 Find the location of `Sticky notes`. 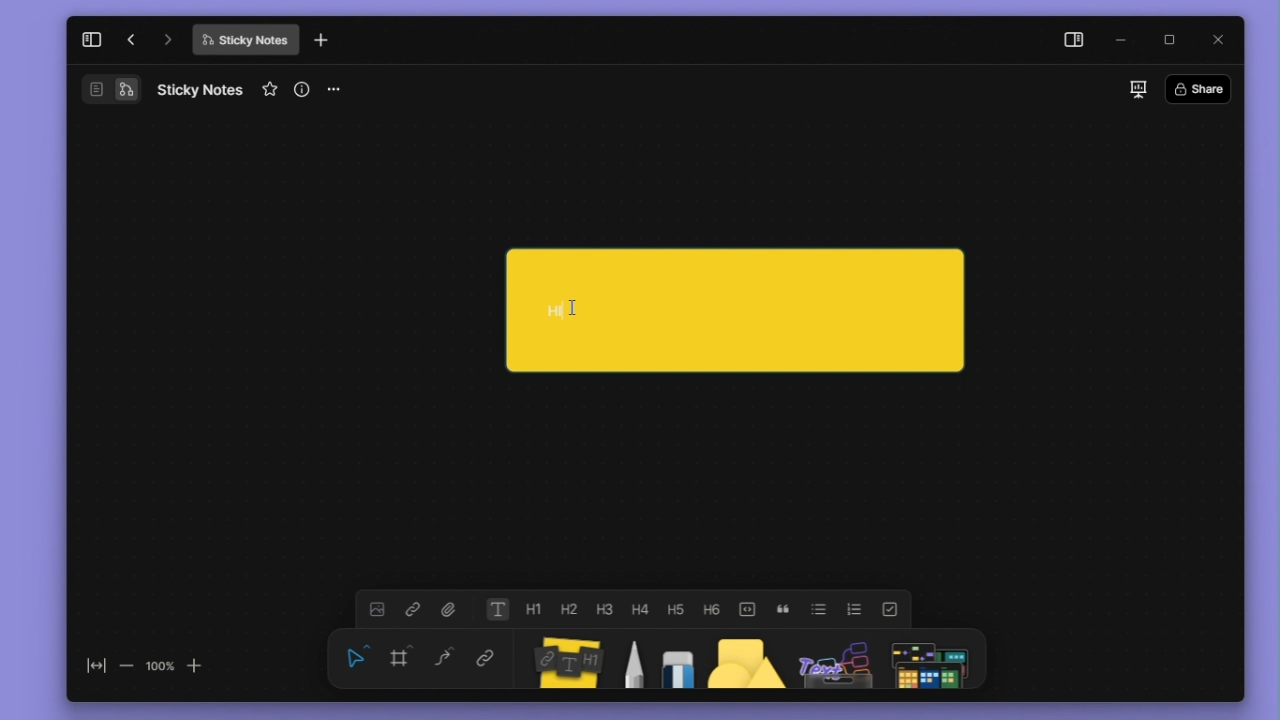

Sticky notes is located at coordinates (564, 659).